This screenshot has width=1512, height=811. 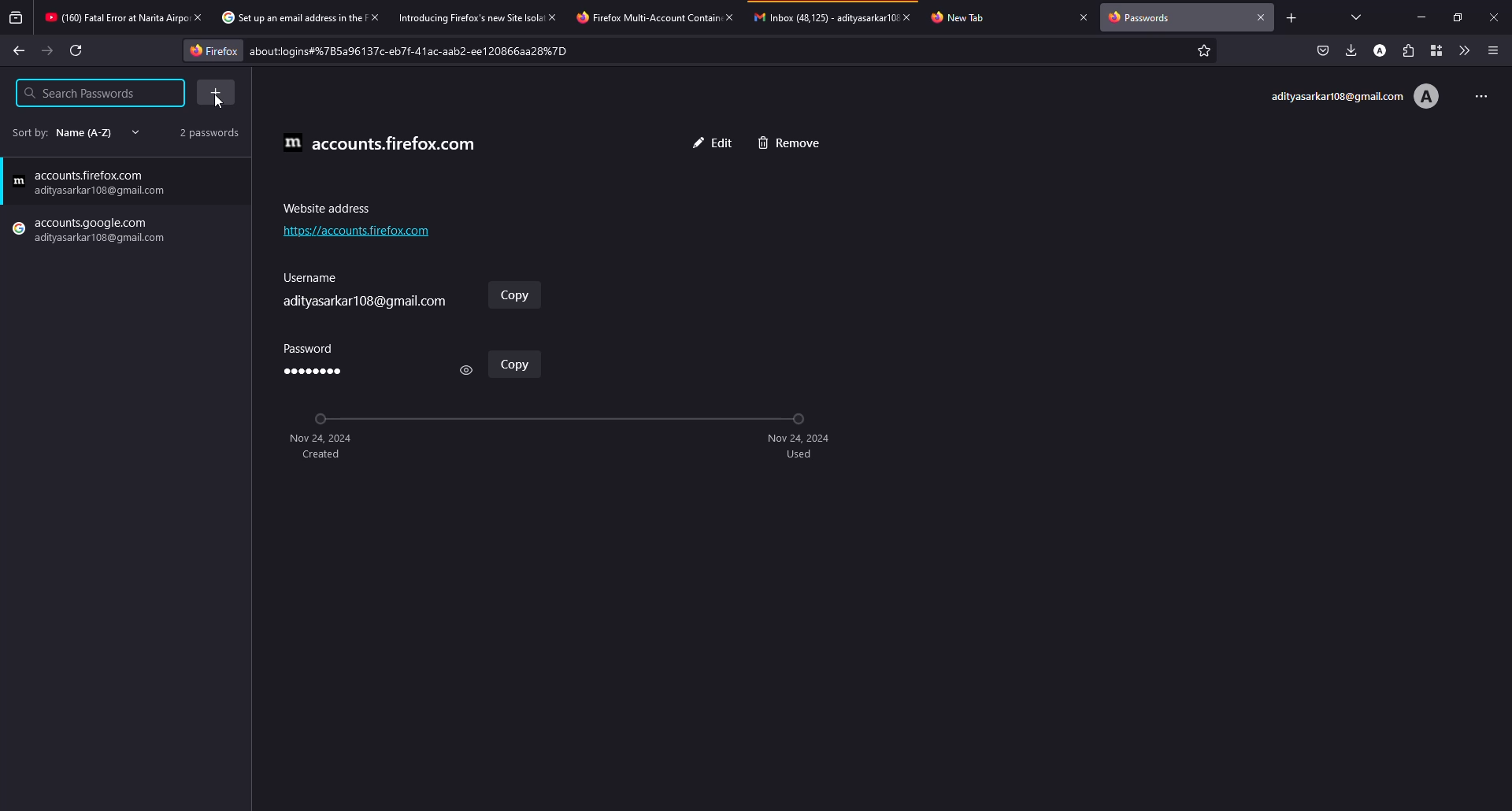 I want to click on refresh, so click(x=77, y=50).